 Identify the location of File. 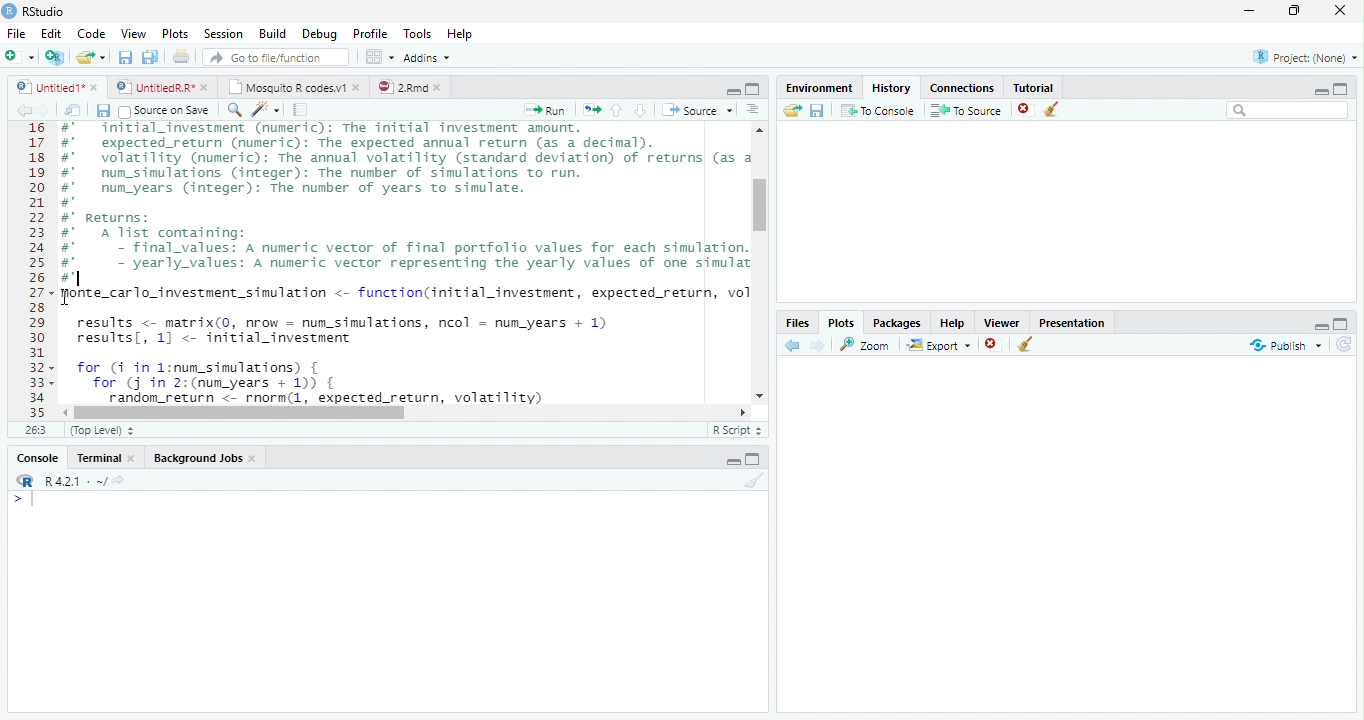
(15, 33).